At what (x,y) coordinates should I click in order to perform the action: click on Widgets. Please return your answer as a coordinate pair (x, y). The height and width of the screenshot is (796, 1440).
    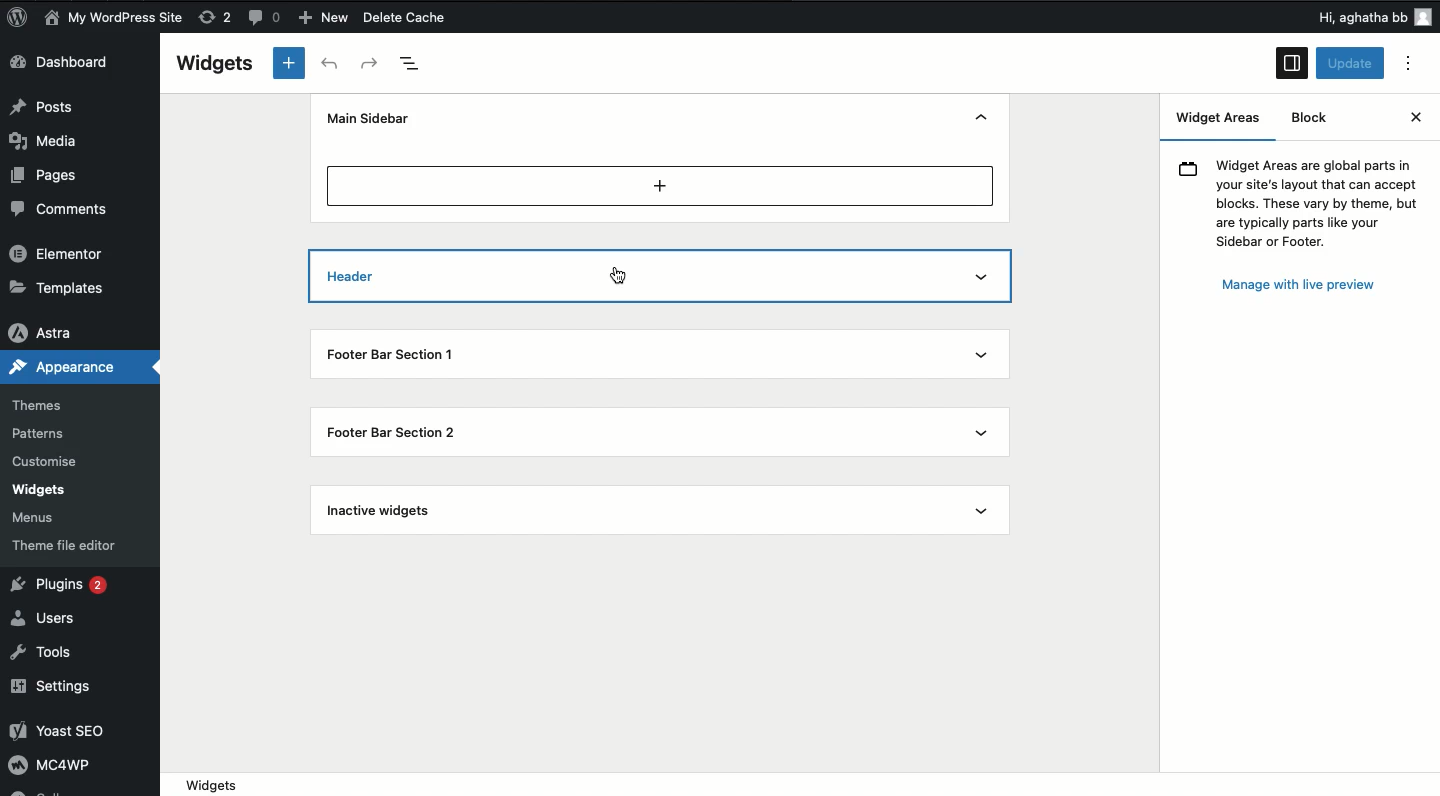
    Looking at the image, I should click on (215, 63).